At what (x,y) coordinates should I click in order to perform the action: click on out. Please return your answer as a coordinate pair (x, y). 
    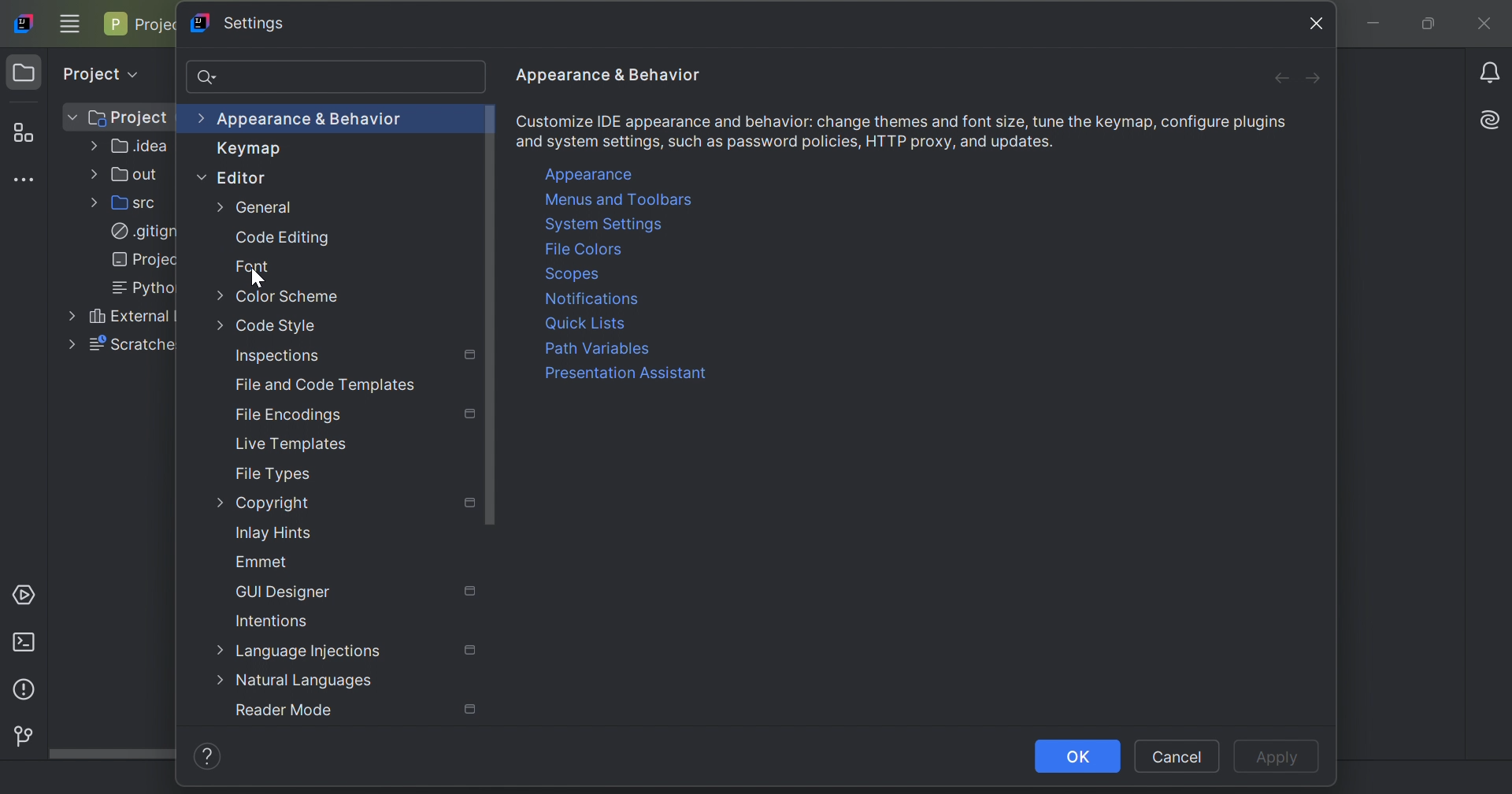
    Looking at the image, I should click on (128, 175).